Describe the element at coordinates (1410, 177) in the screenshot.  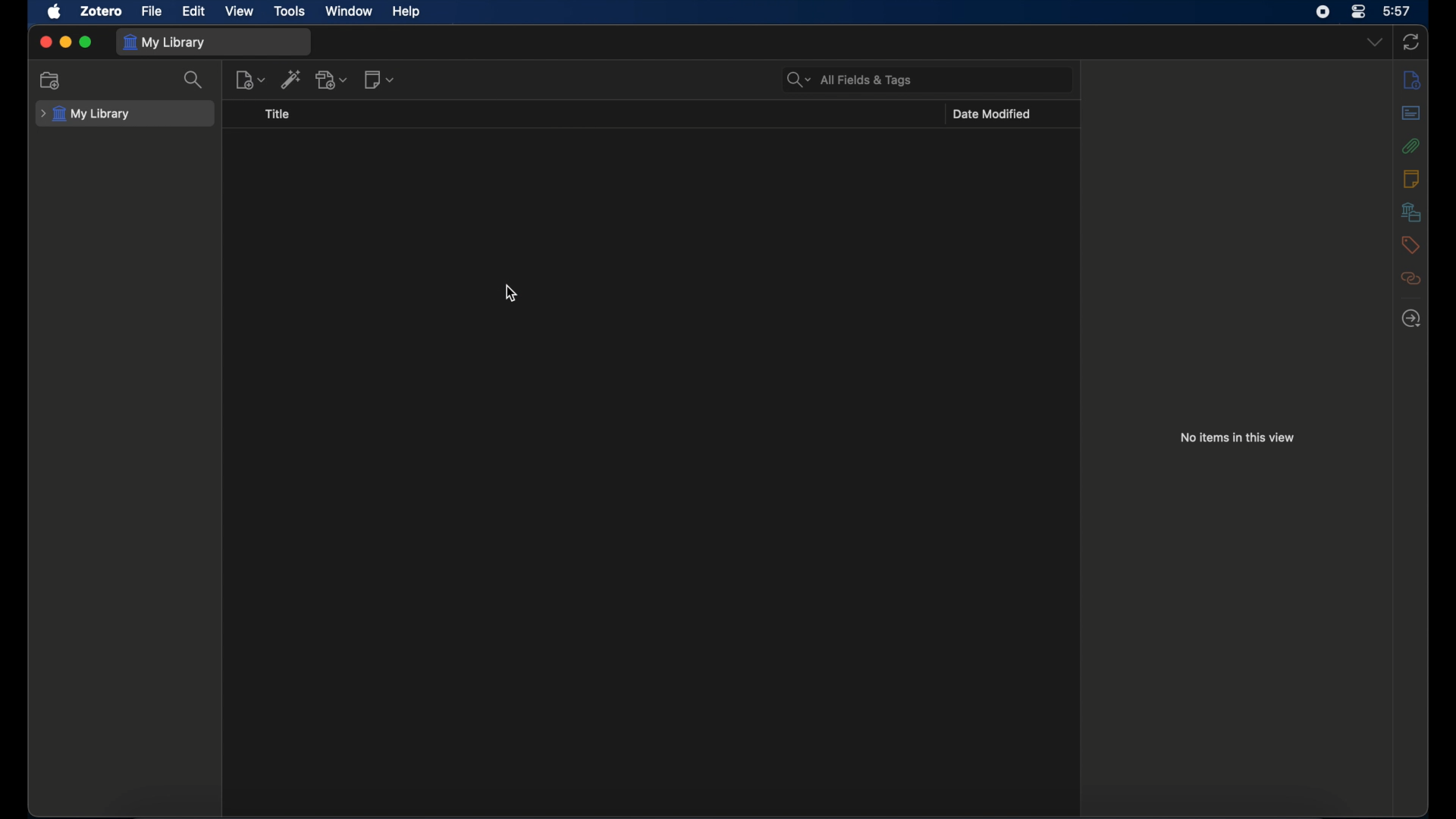
I see `notes` at that location.